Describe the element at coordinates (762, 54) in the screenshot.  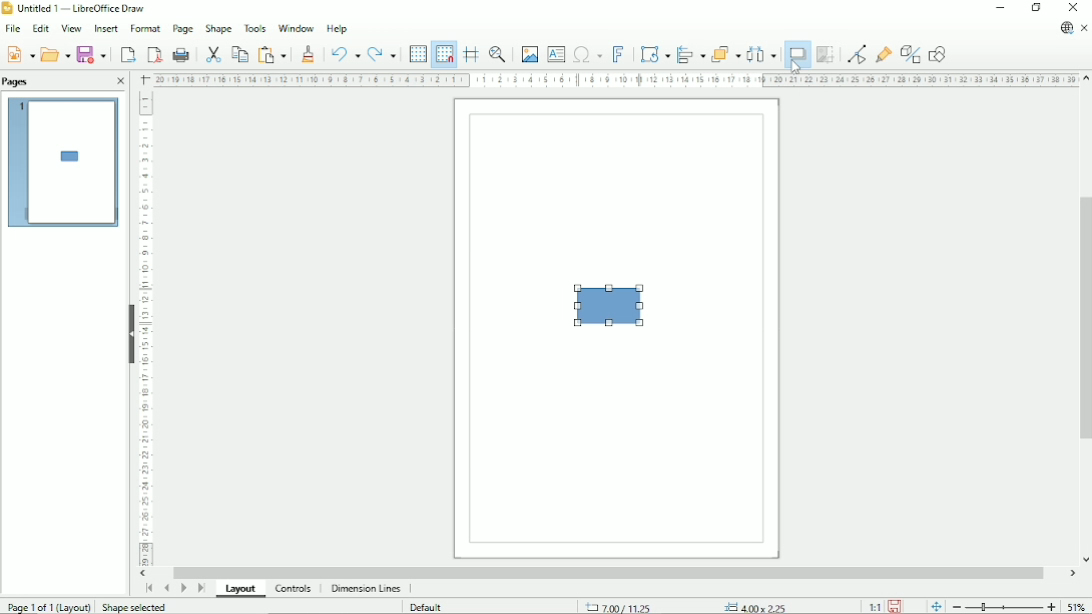
I see `Select at least three objects to distribute` at that location.